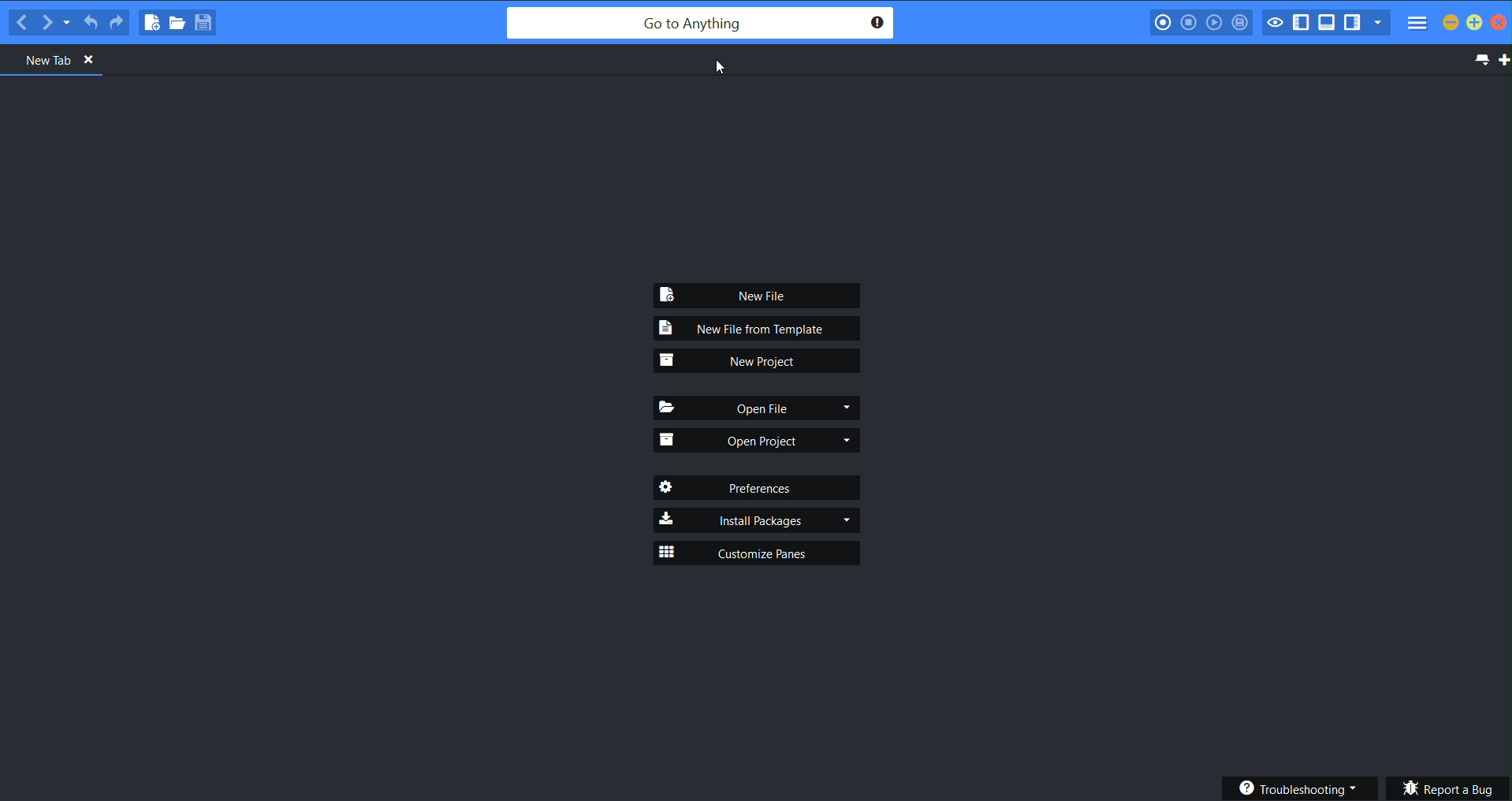  I want to click on undo , so click(91, 20).